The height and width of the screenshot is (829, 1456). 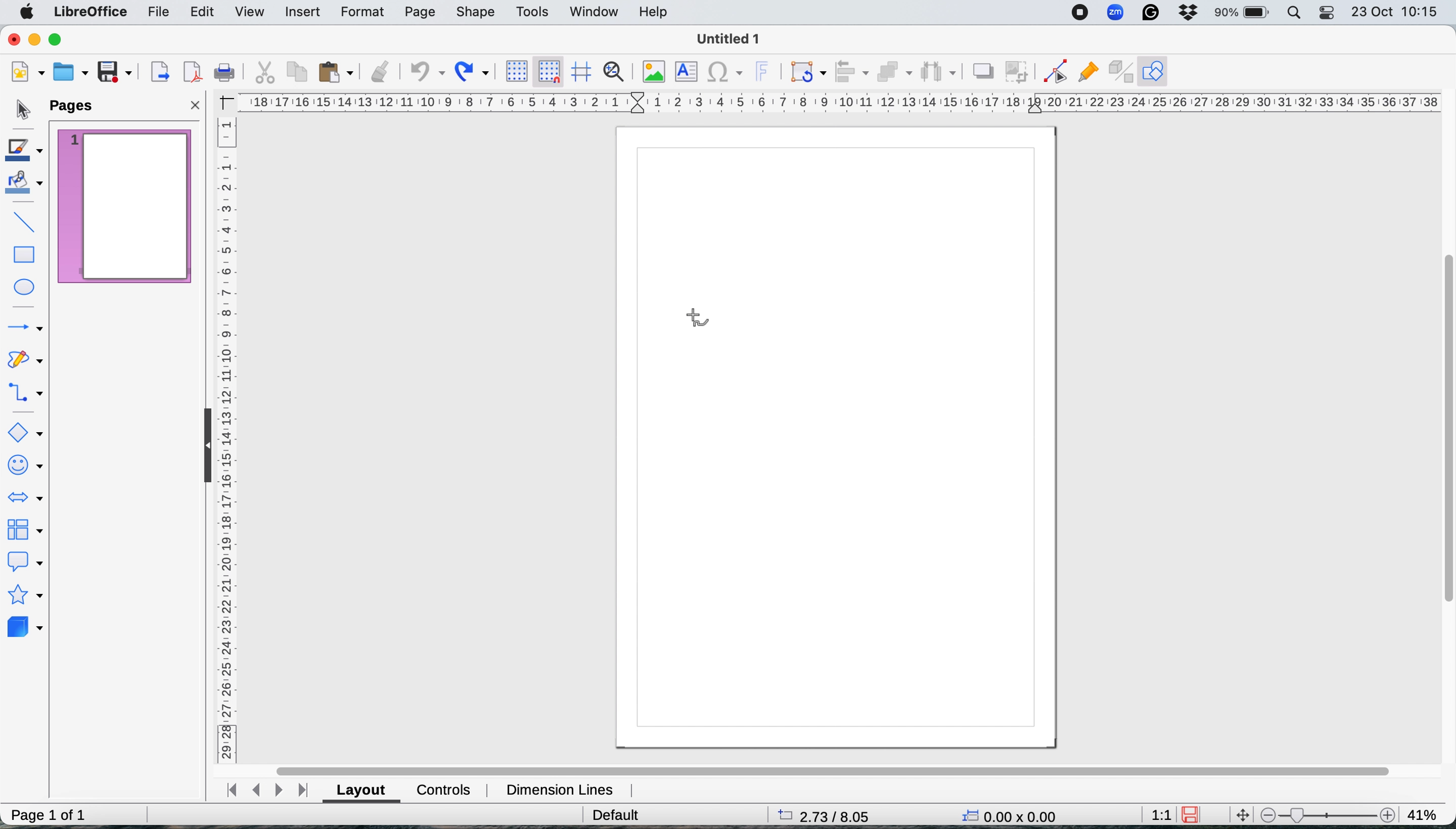 What do you see at coordinates (26, 433) in the screenshot?
I see `basic shapes` at bounding box center [26, 433].